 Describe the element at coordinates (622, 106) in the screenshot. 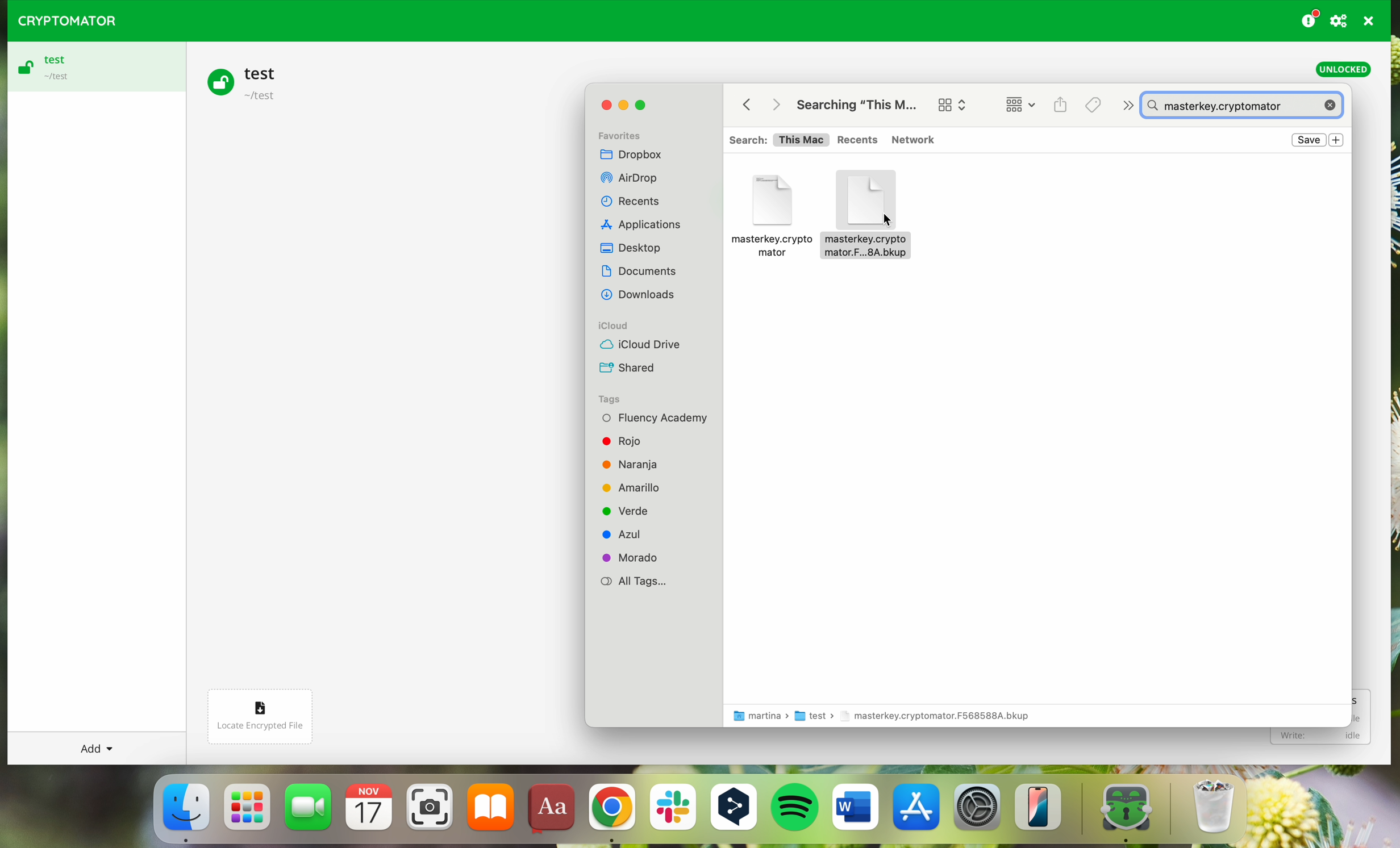

I see `minimize` at that location.